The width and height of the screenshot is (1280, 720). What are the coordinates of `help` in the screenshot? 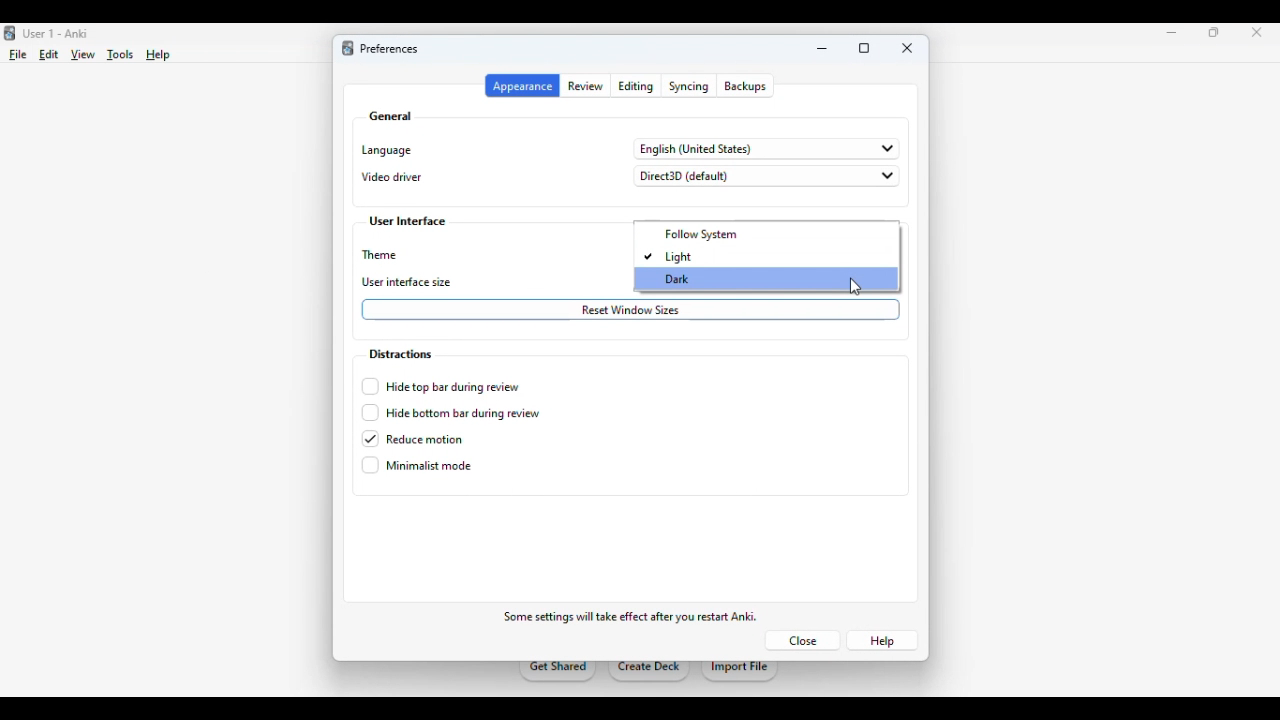 It's located at (158, 55).